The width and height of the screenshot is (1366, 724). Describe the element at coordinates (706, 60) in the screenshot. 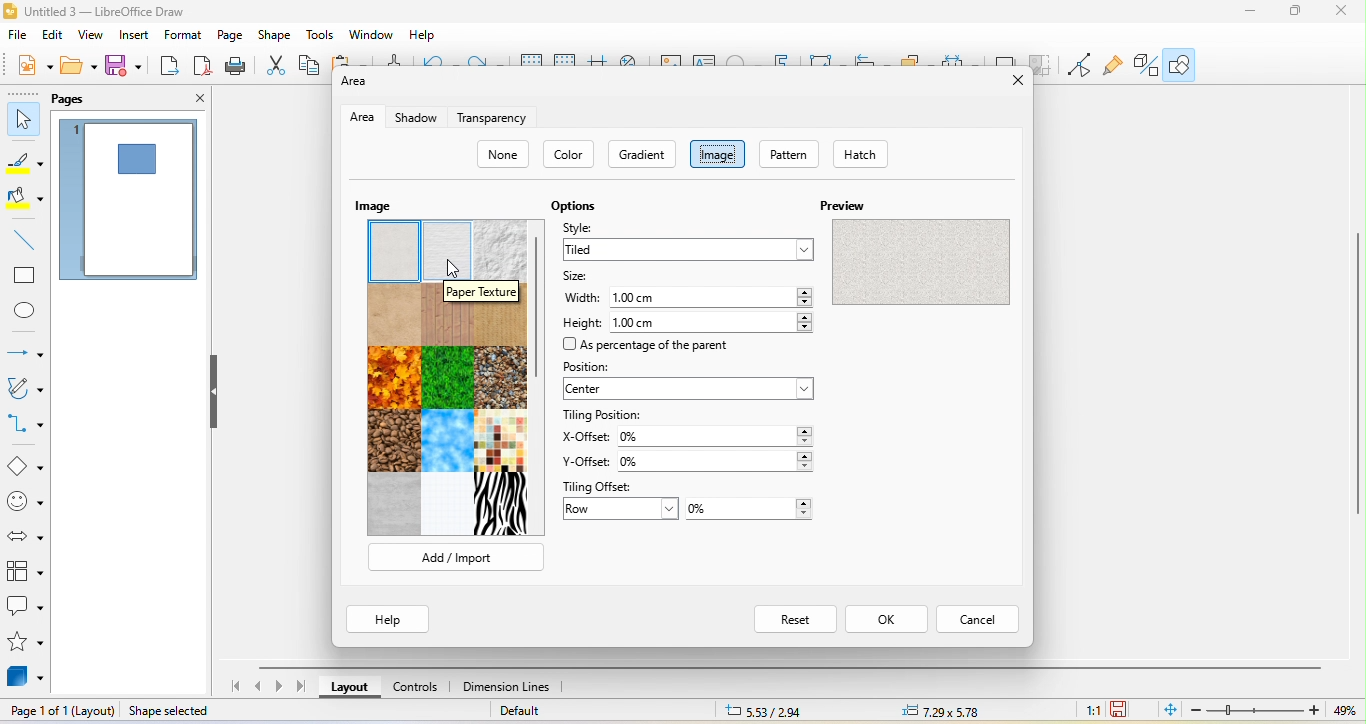

I see `text box` at that location.